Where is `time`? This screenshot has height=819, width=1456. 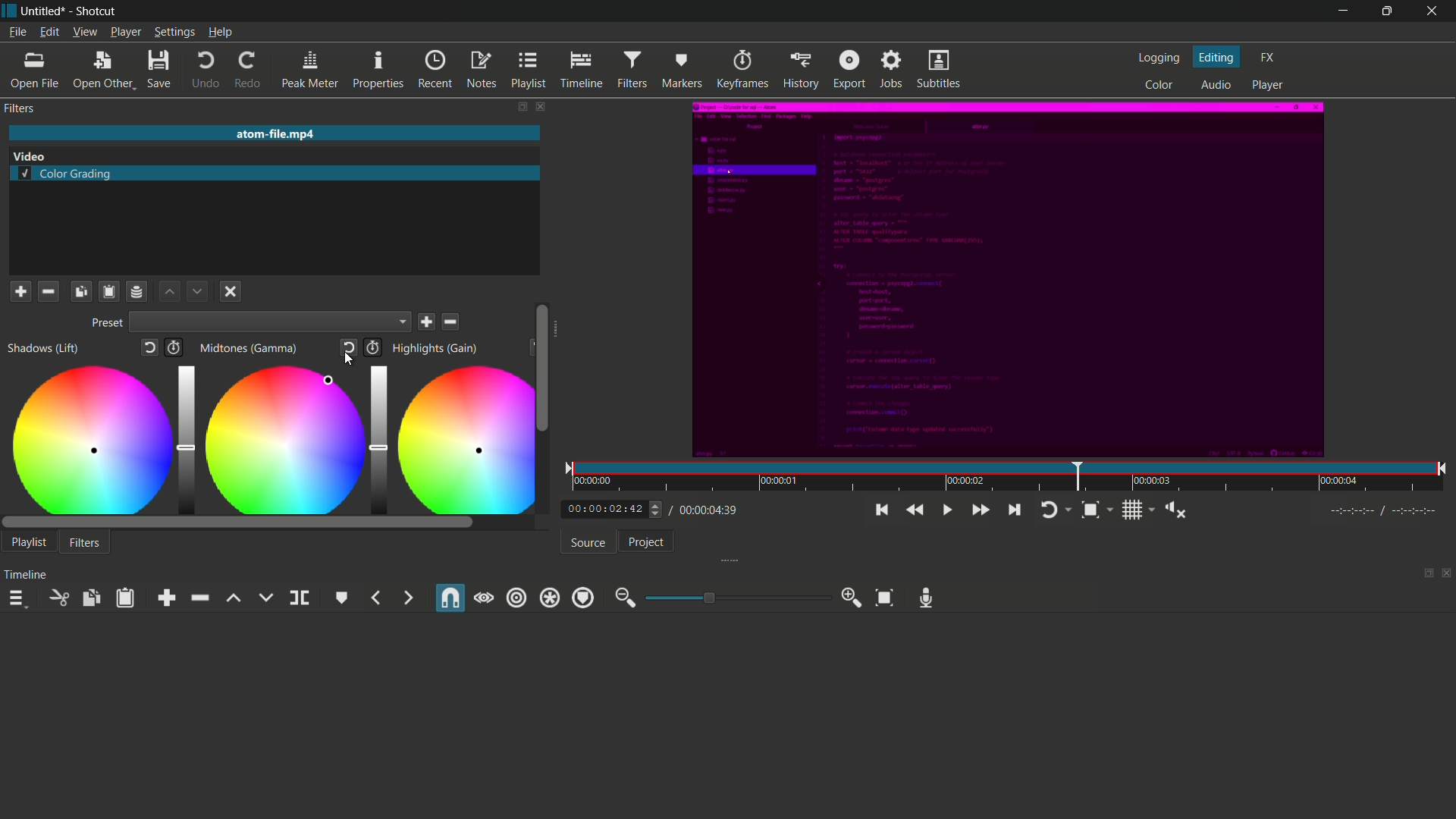
time is located at coordinates (1013, 480).